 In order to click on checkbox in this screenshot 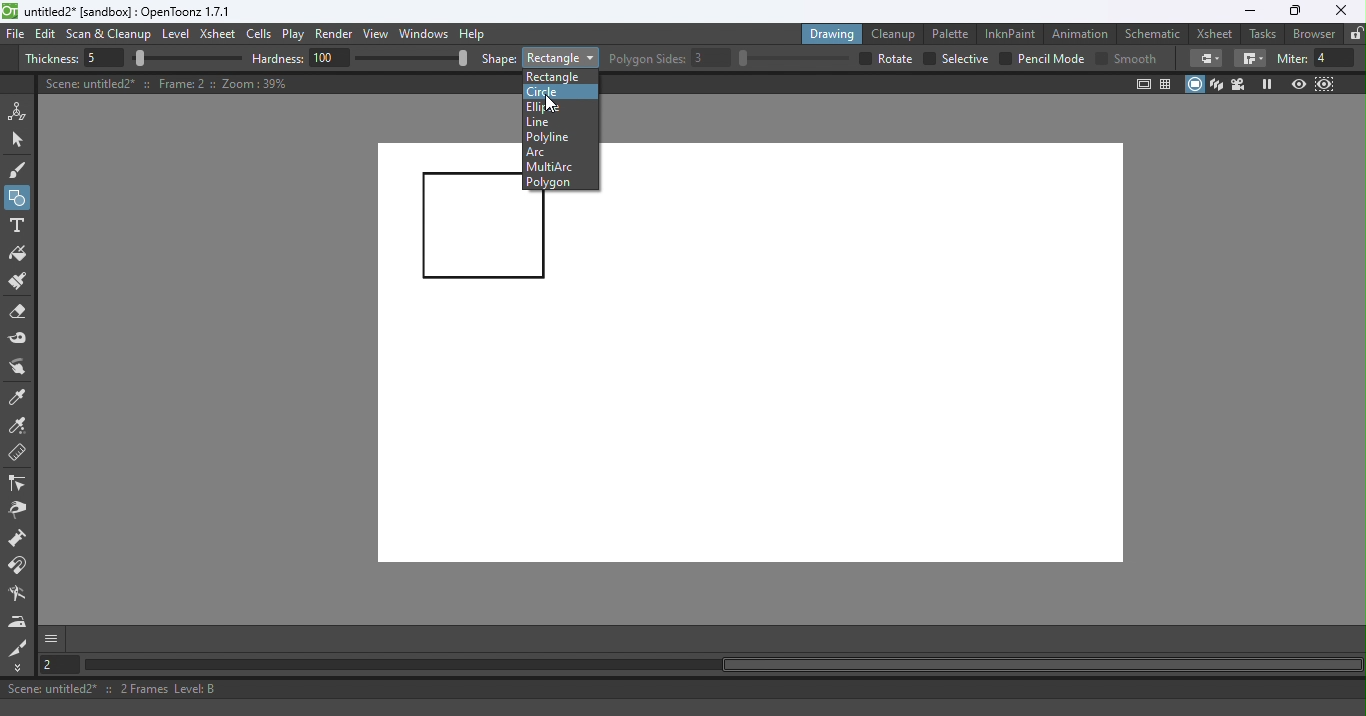, I will do `click(1005, 58)`.